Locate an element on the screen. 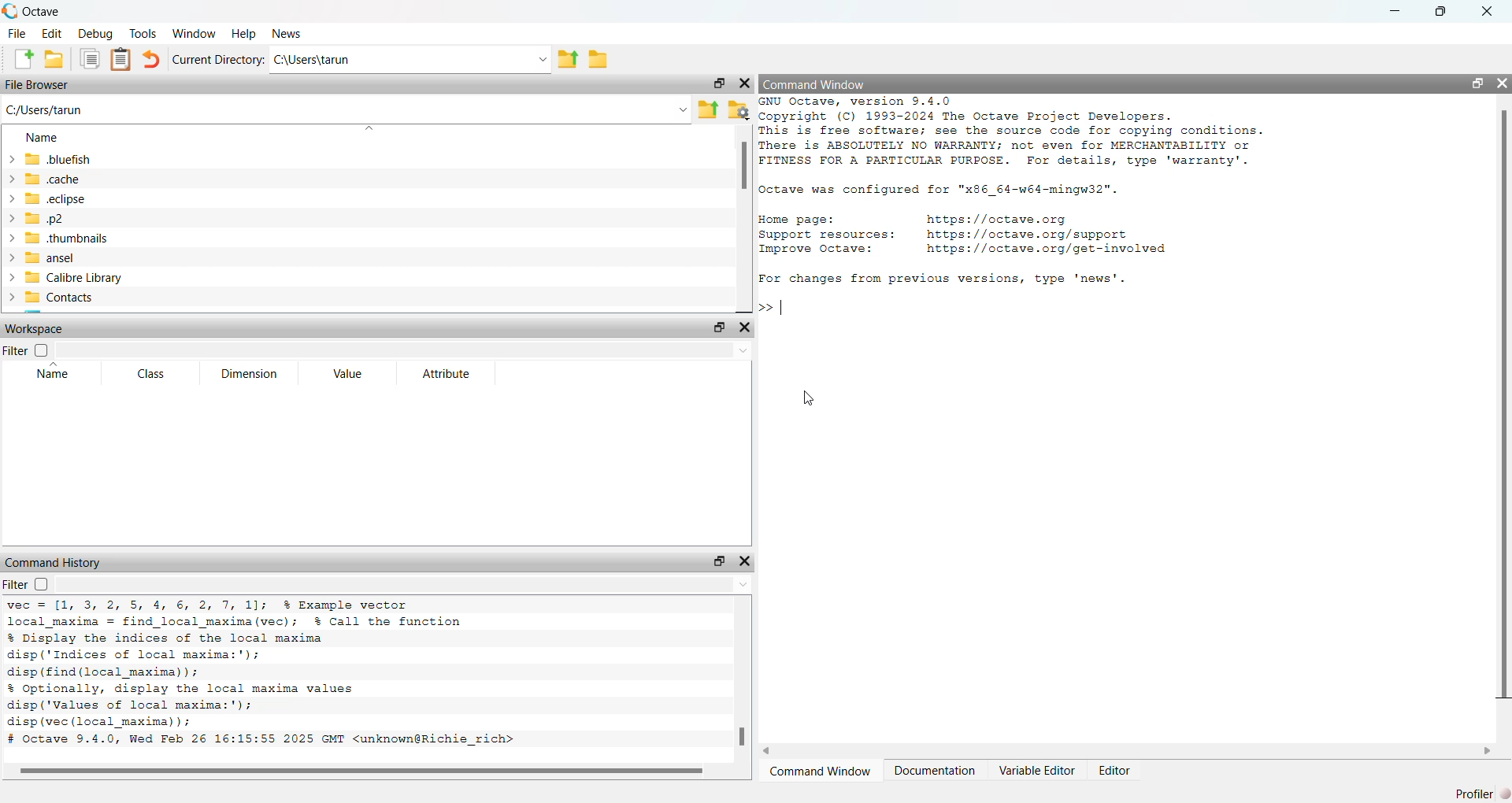 The height and width of the screenshot is (803, 1512). Filter is located at coordinates (27, 586).